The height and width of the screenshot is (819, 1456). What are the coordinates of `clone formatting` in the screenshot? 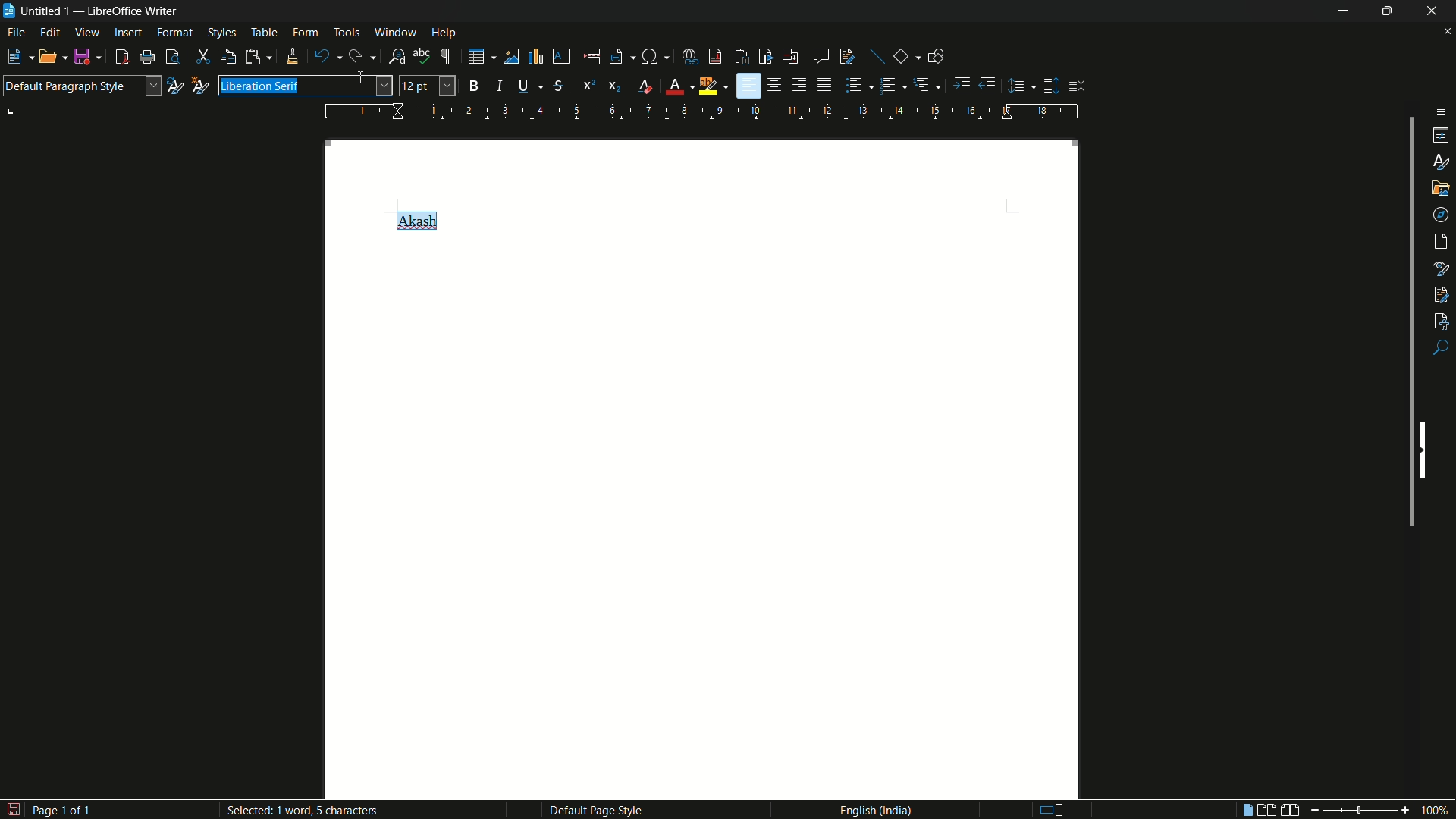 It's located at (291, 56).